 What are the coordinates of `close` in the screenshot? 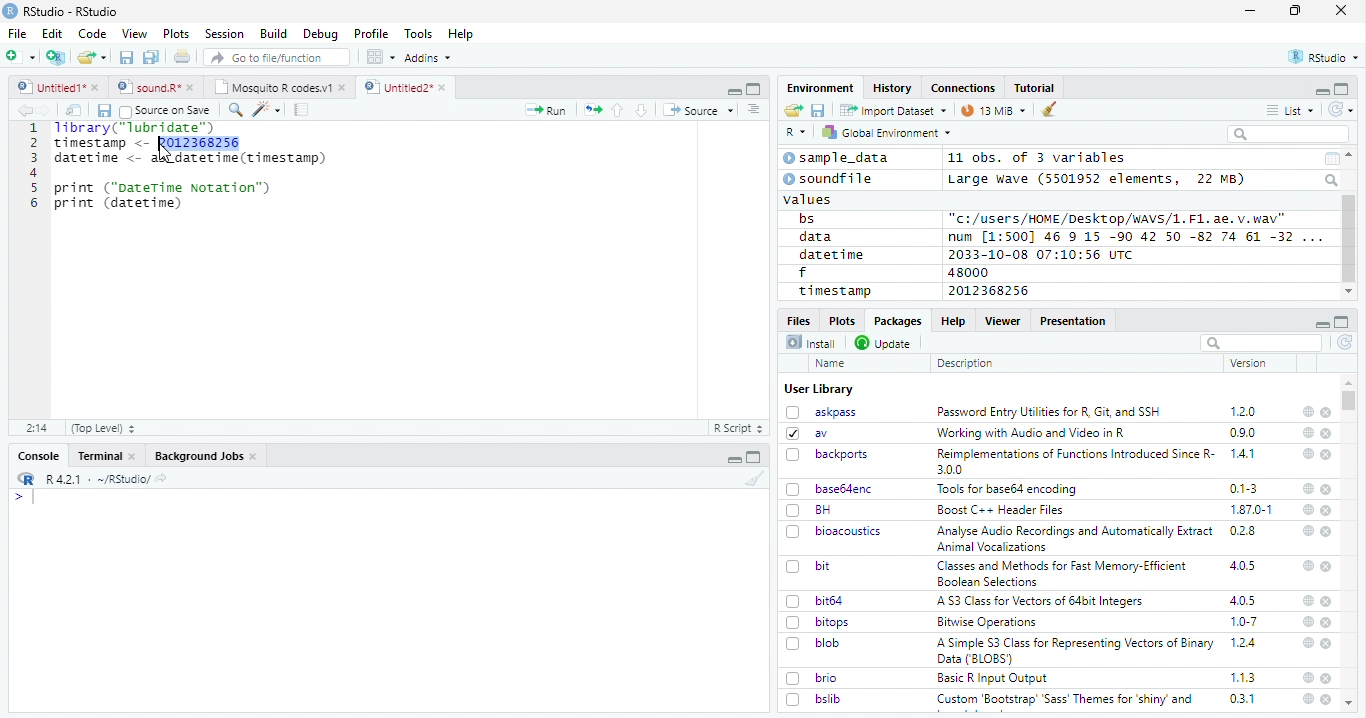 It's located at (1327, 455).